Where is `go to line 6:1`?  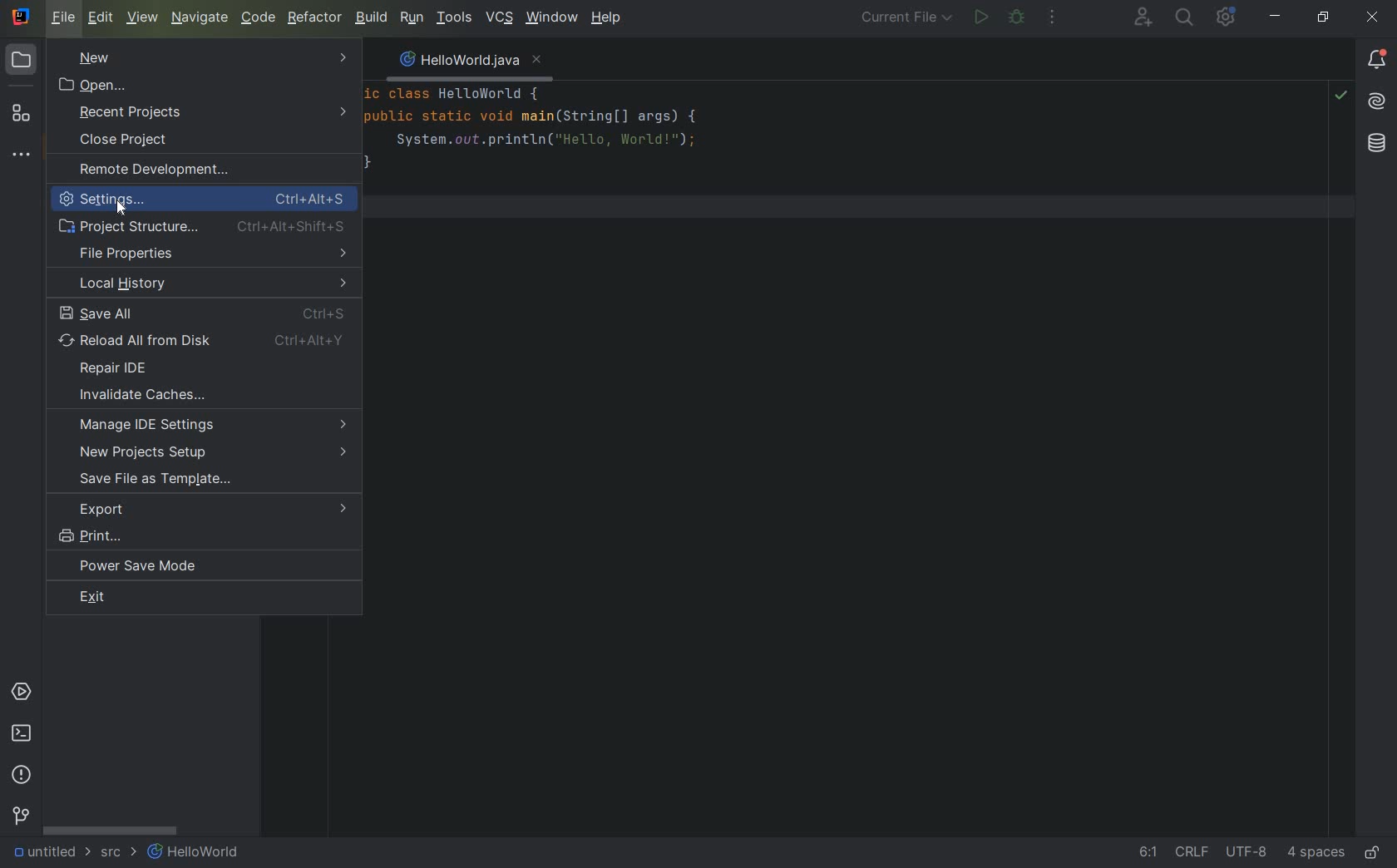 go to line 6:1 is located at coordinates (1148, 853).